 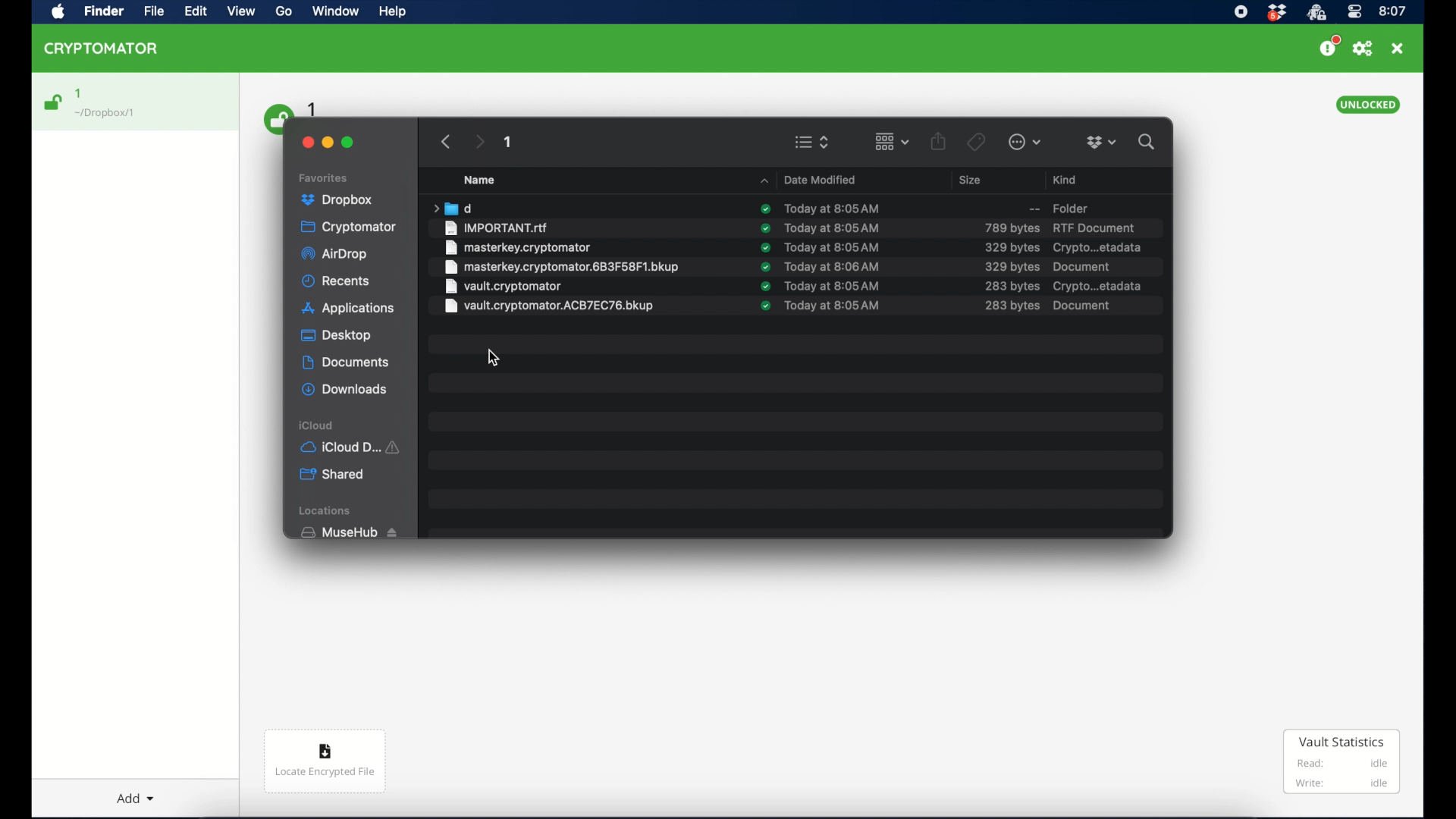 What do you see at coordinates (833, 266) in the screenshot?
I see `date` at bounding box center [833, 266].